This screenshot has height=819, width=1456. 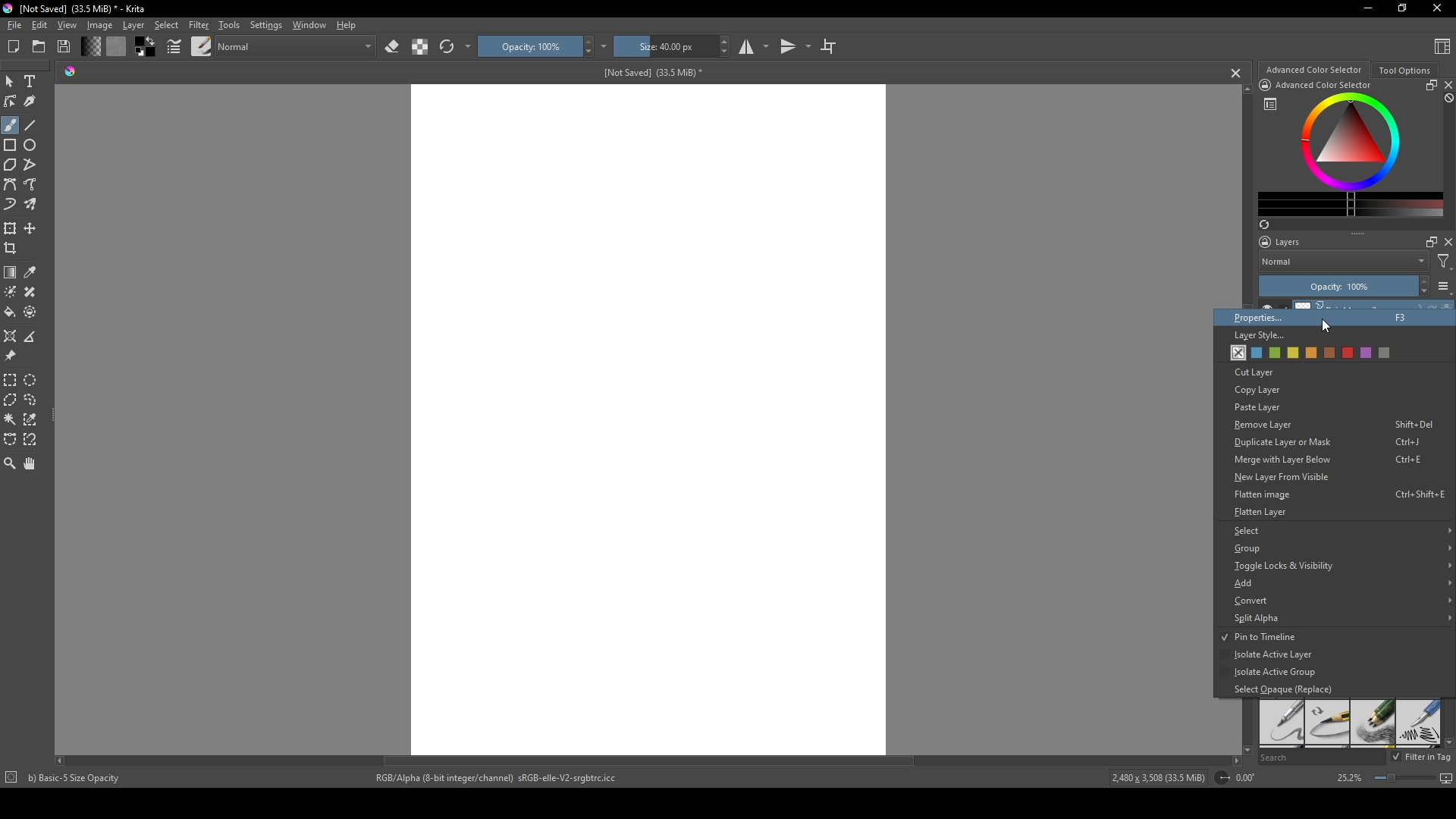 What do you see at coordinates (1401, 9) in the screenshot?
I see `resize` at bounding box center [1401, 9].